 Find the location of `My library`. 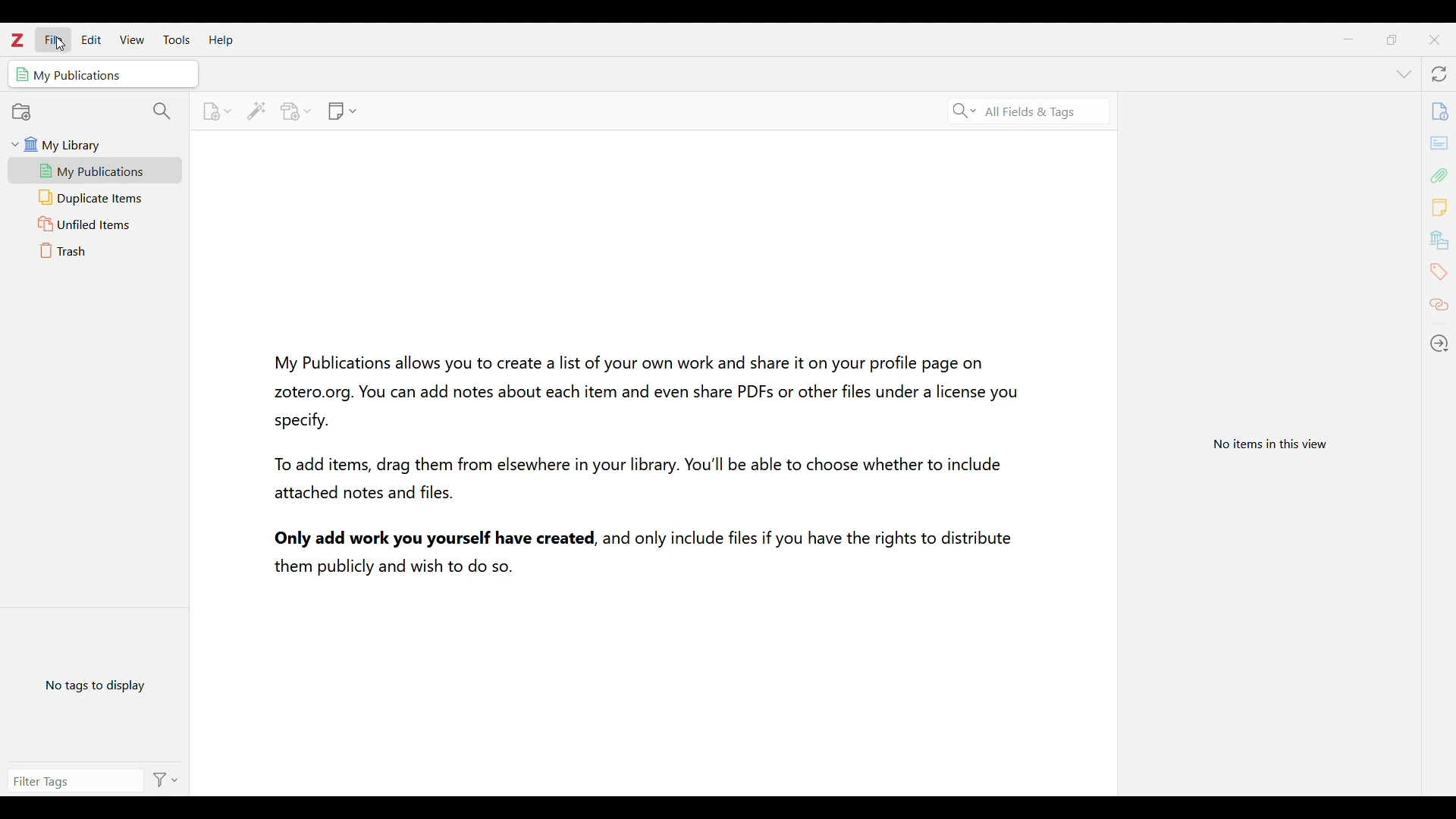

My library is located at coordinates (100, 144).